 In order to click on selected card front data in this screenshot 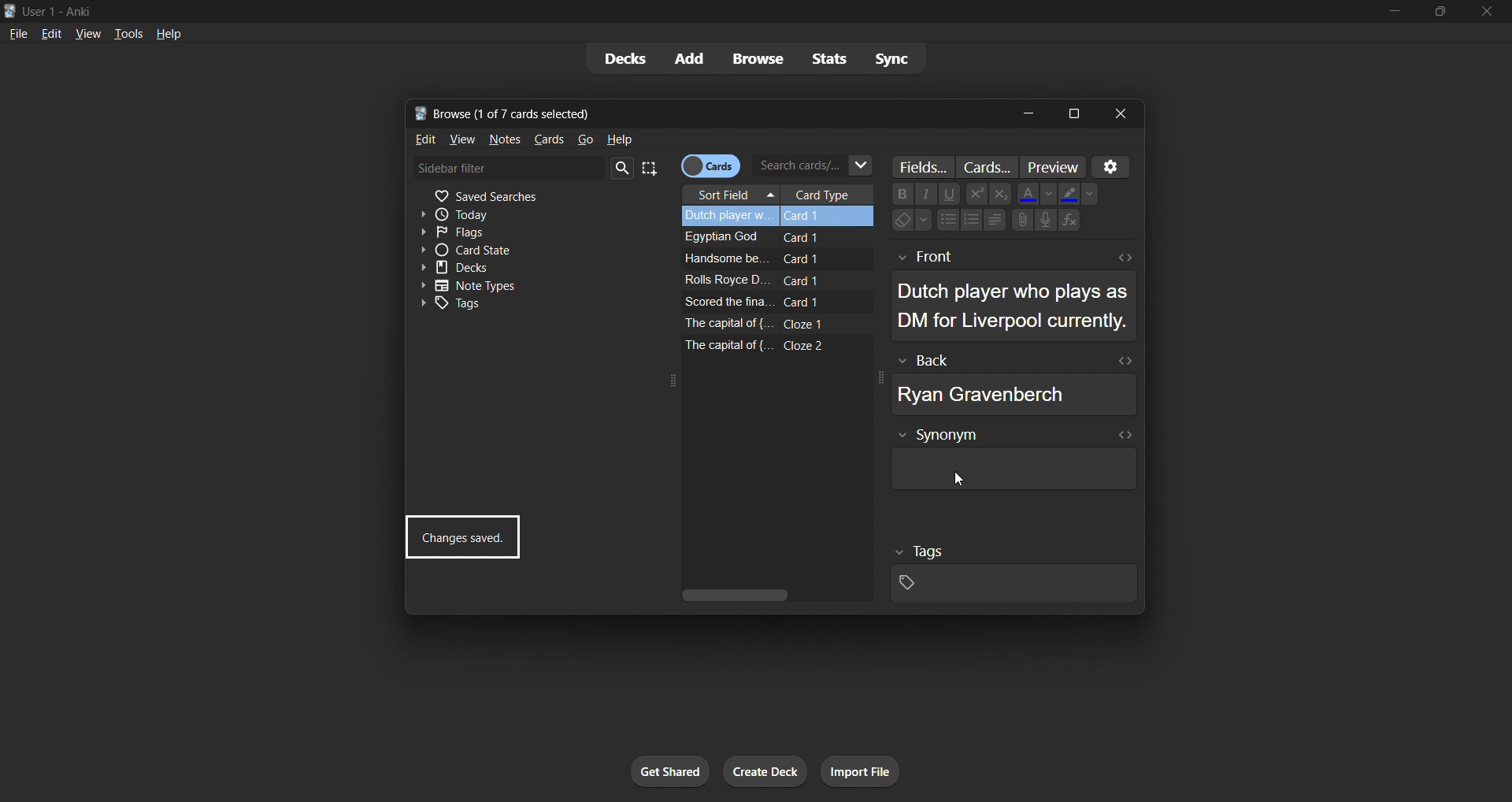, I will do `click(1011, 294)`.